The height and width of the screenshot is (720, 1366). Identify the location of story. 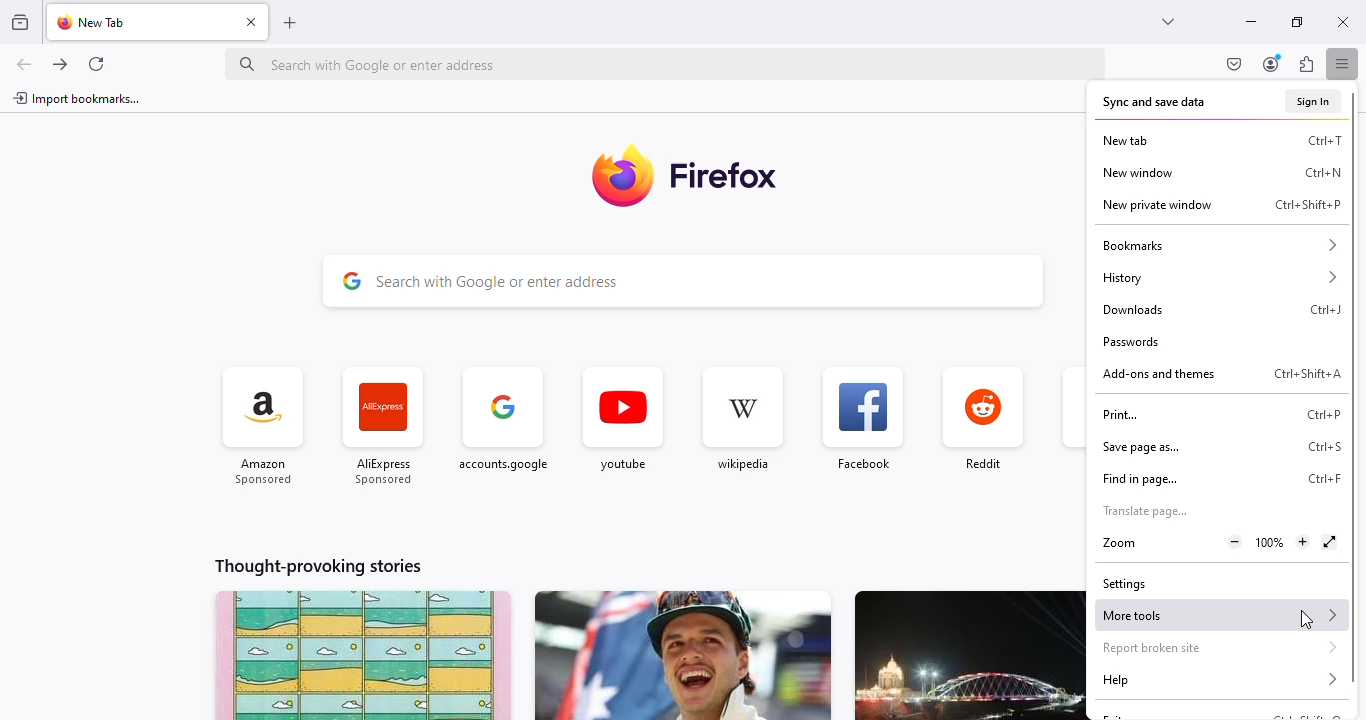
(363, 655).